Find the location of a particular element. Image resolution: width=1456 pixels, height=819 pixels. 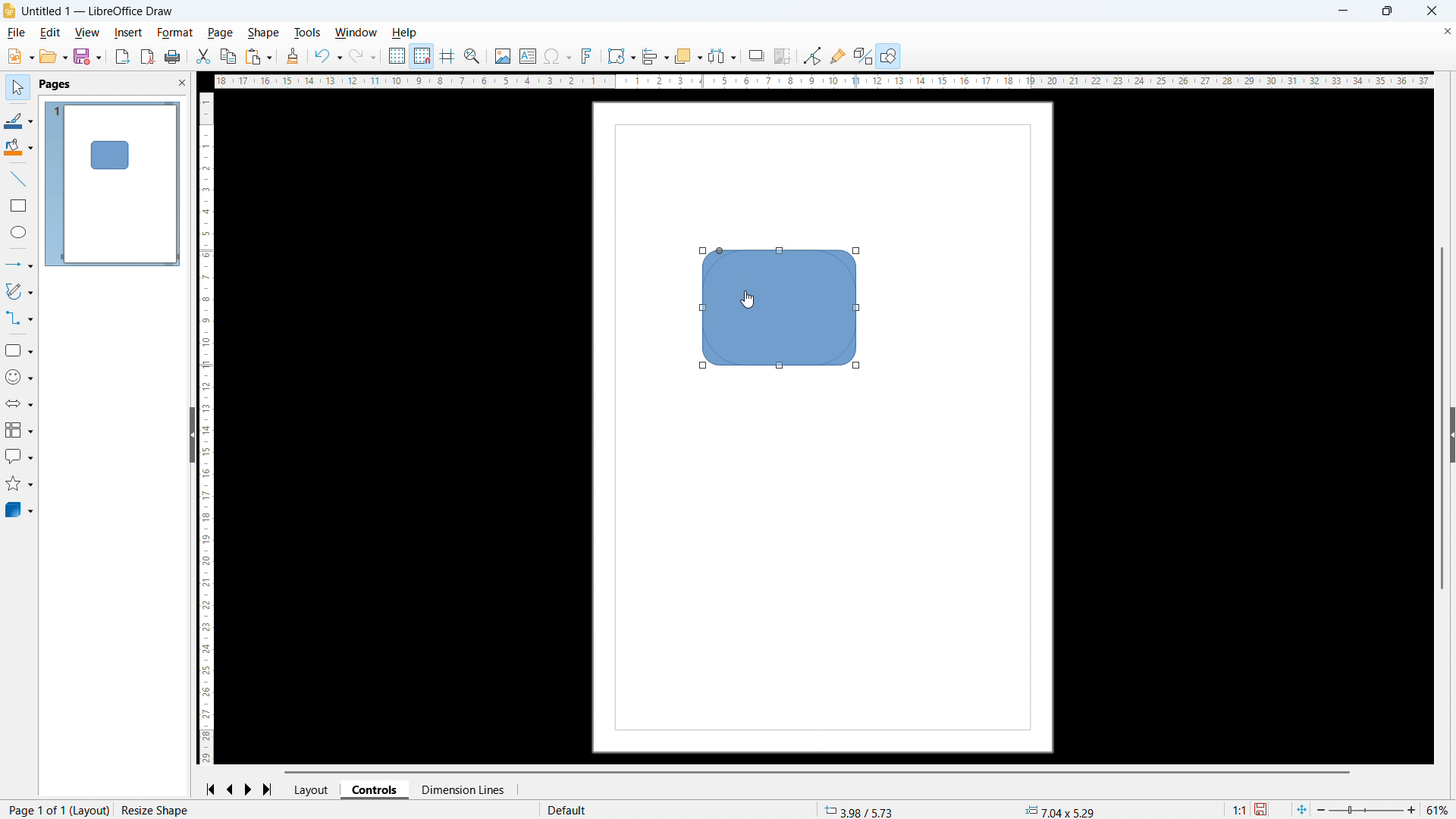

Align  is located at coordinates (655, 57).